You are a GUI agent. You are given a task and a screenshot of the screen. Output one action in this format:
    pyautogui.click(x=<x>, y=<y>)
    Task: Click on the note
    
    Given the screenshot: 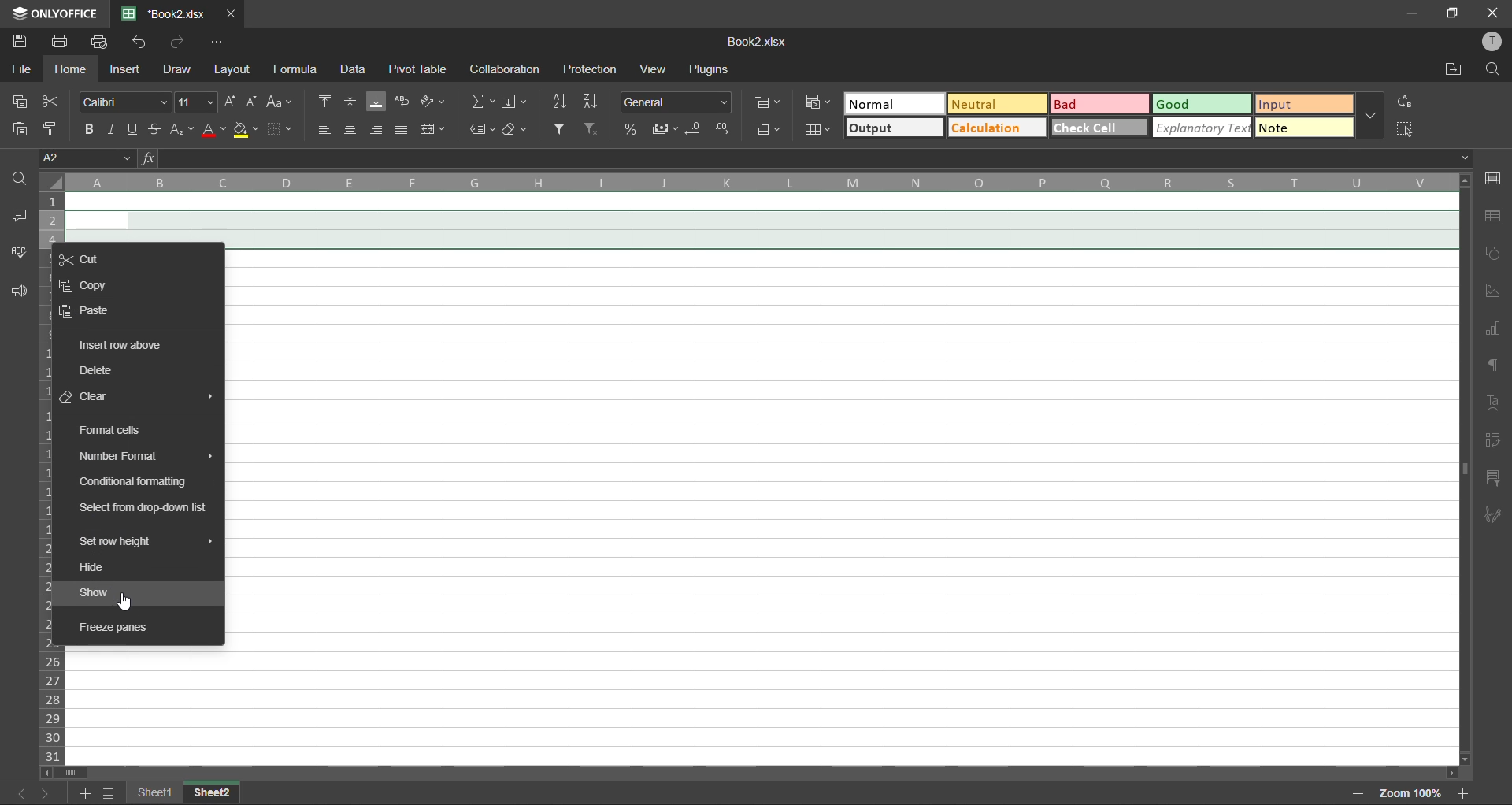 What is the action you would take?
    pyautogui.click(x=1303, y=126)
    